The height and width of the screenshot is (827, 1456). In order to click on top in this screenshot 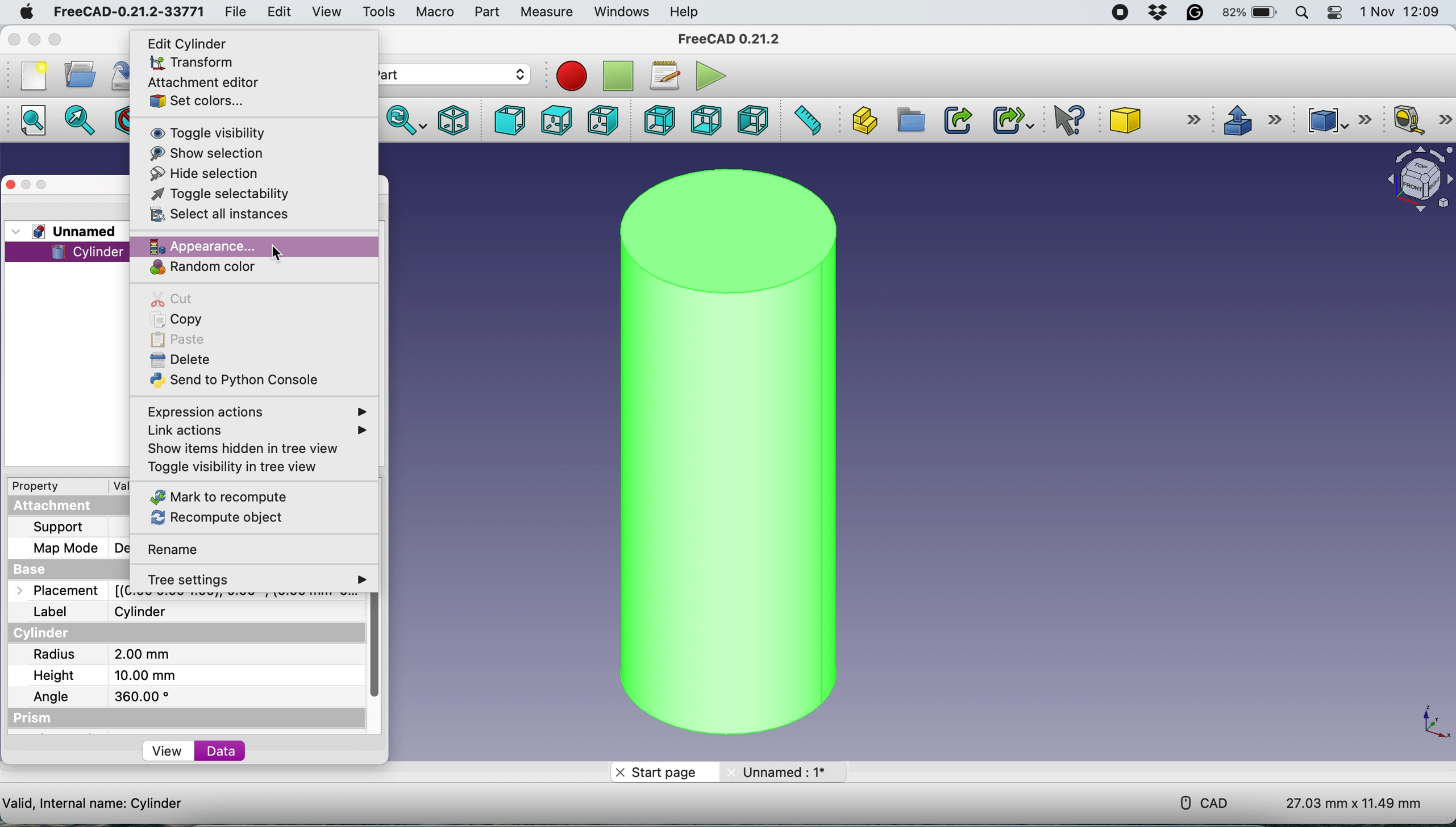, I will do `click(554, 120)`.